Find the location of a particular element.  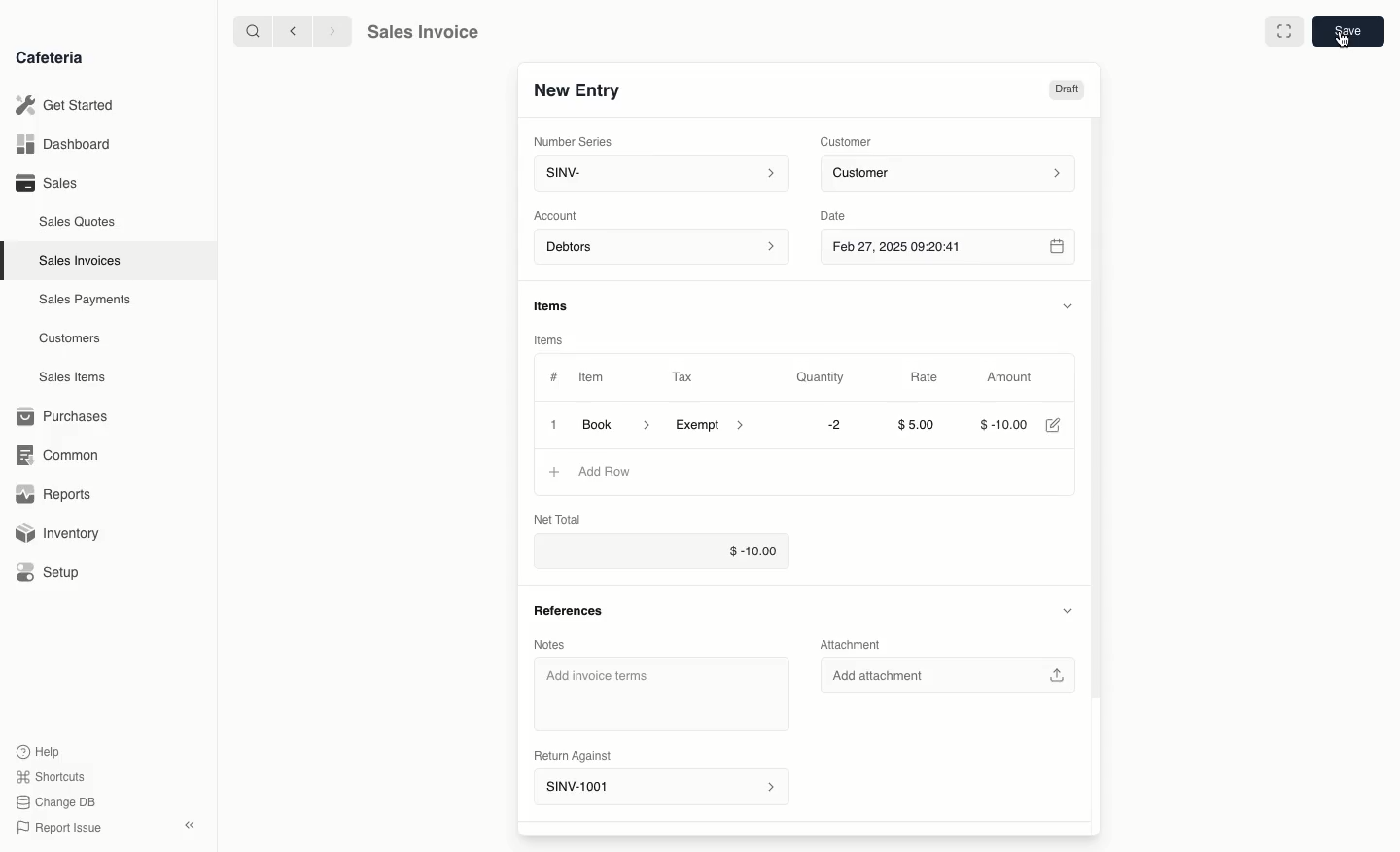

$-10.00 is located at coordinates (1004, 424).